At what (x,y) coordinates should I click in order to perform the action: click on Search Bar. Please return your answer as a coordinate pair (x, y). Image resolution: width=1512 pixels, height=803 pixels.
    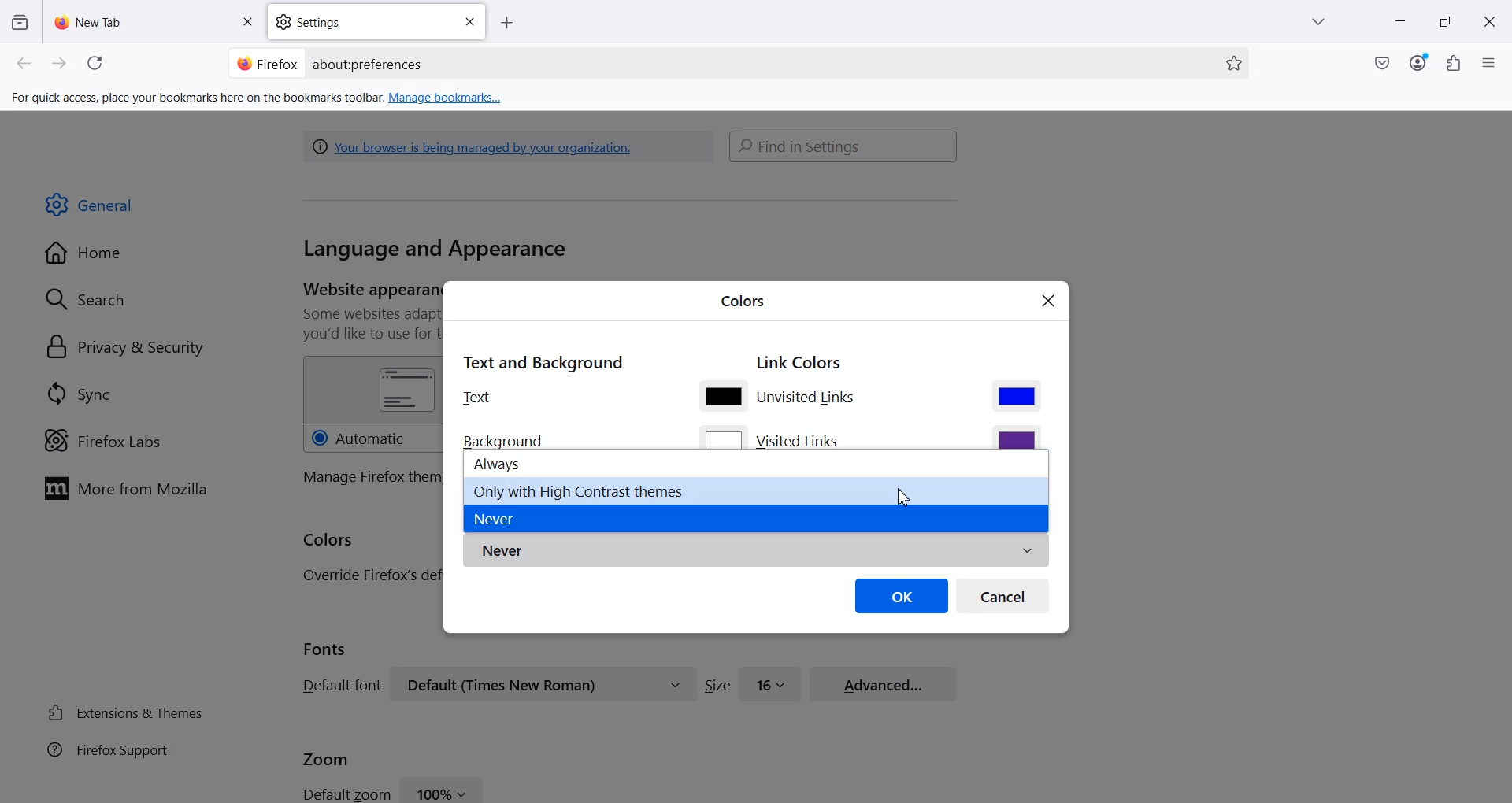
    Looking at the image, I should click on (736, 63).